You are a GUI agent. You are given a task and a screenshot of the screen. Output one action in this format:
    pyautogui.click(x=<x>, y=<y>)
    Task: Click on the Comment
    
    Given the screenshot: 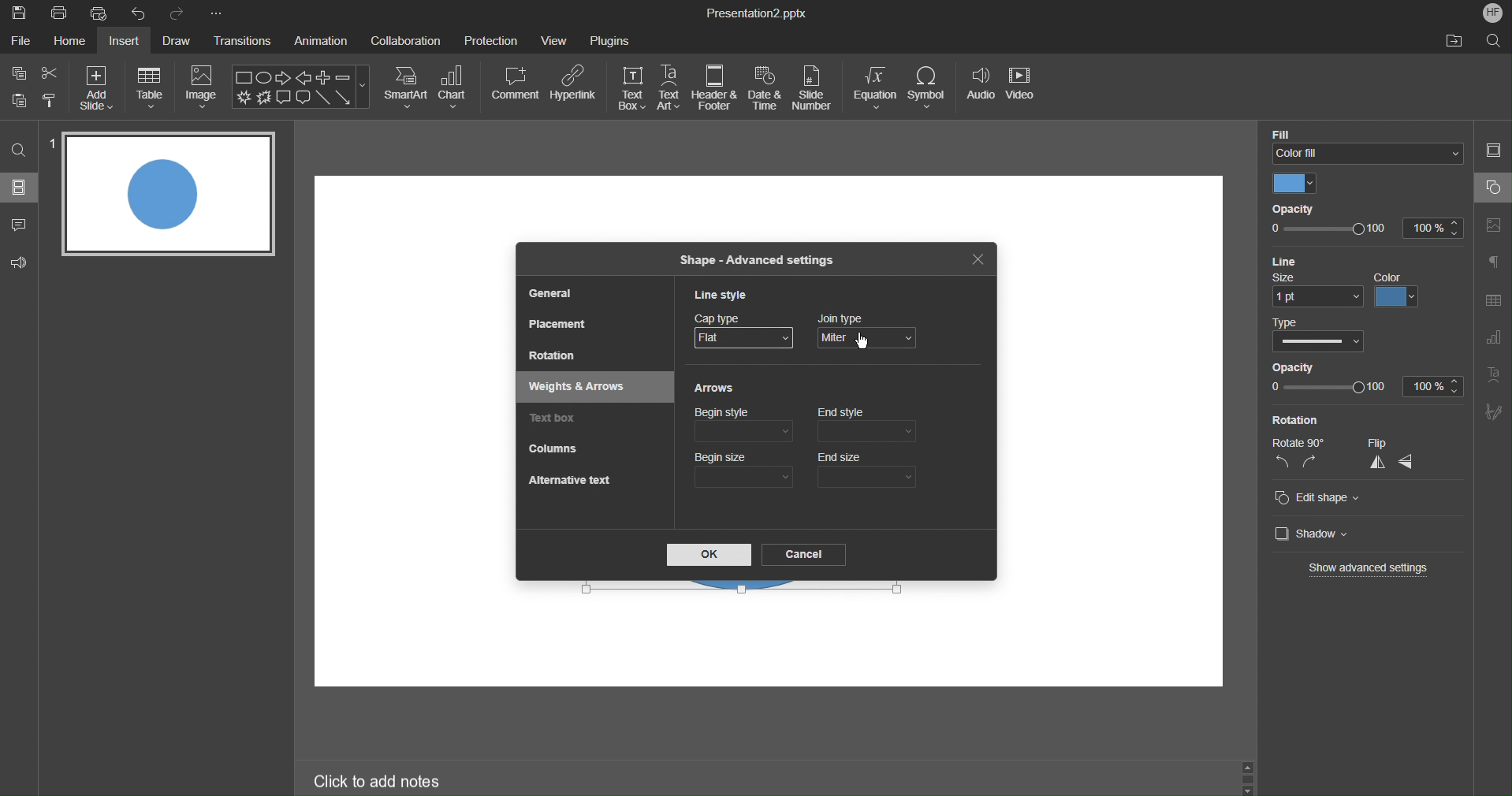 What is the action you would take?
    pyautogui.click(x=20, y=221)
    